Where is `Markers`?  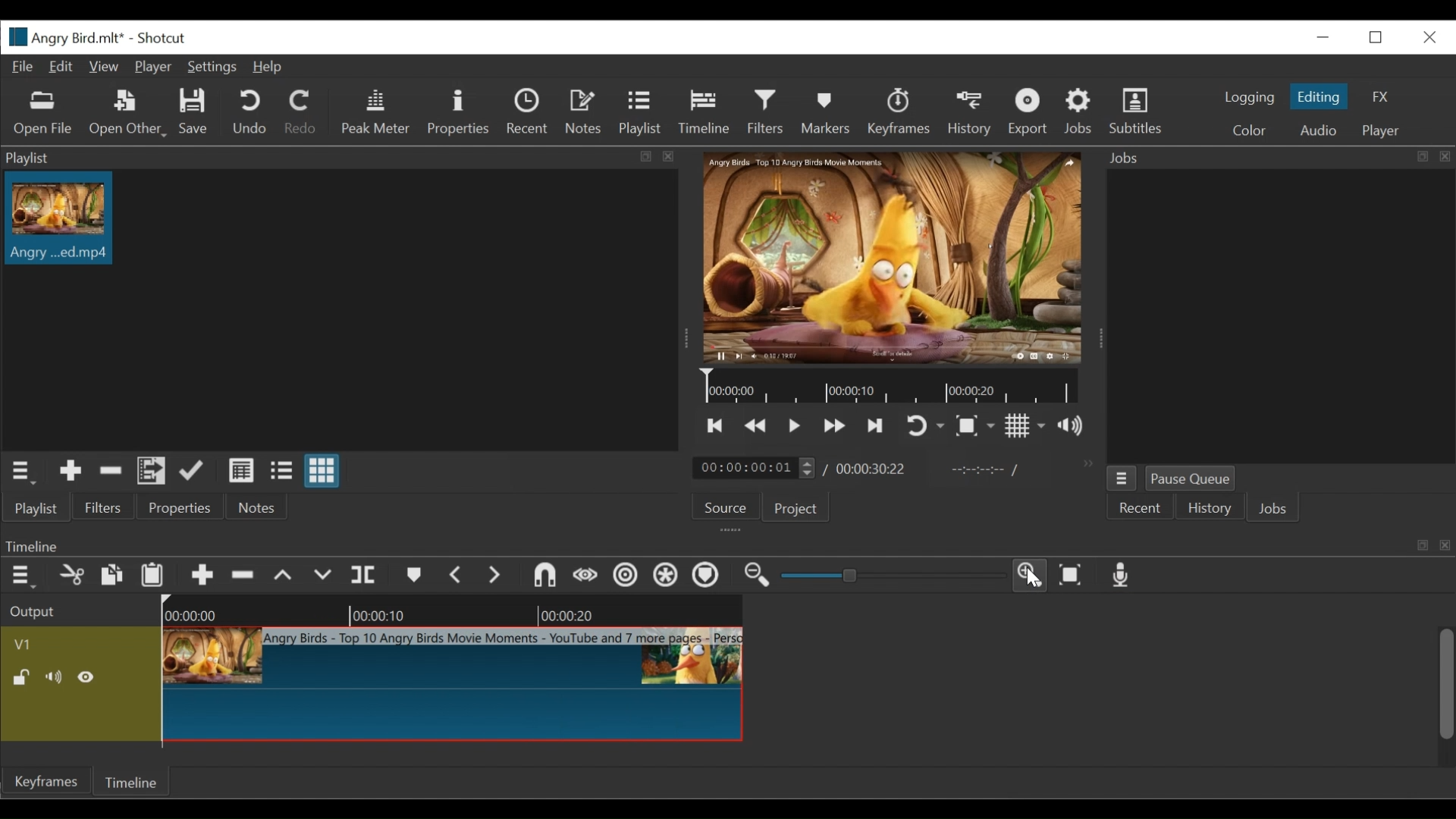
Markers is located at coordinates (707, 575).